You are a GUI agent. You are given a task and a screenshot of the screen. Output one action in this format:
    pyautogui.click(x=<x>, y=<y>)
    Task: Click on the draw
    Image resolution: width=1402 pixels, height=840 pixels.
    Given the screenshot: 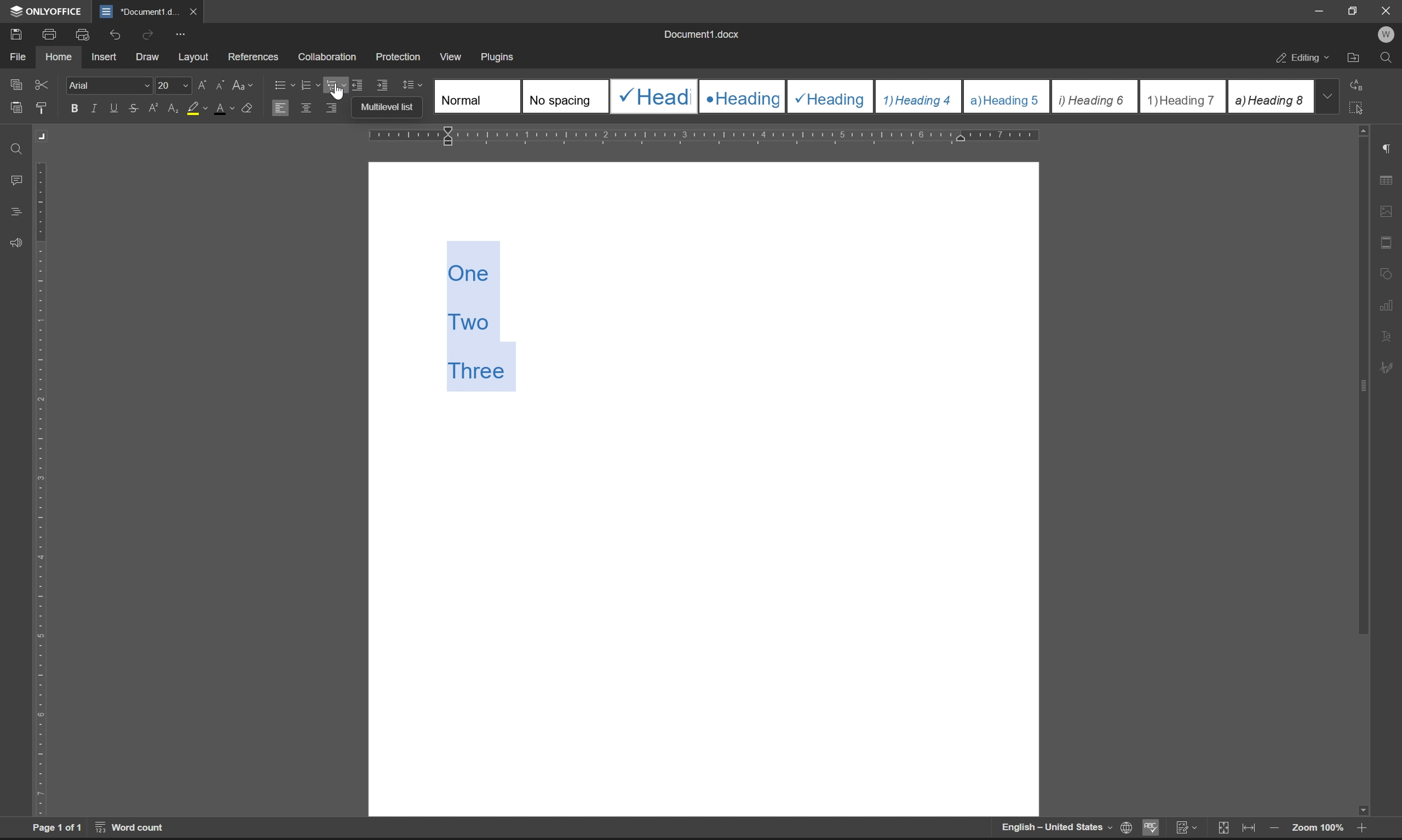 What is the action you would take?
    pyautogui.click(x=151, y=58)
    